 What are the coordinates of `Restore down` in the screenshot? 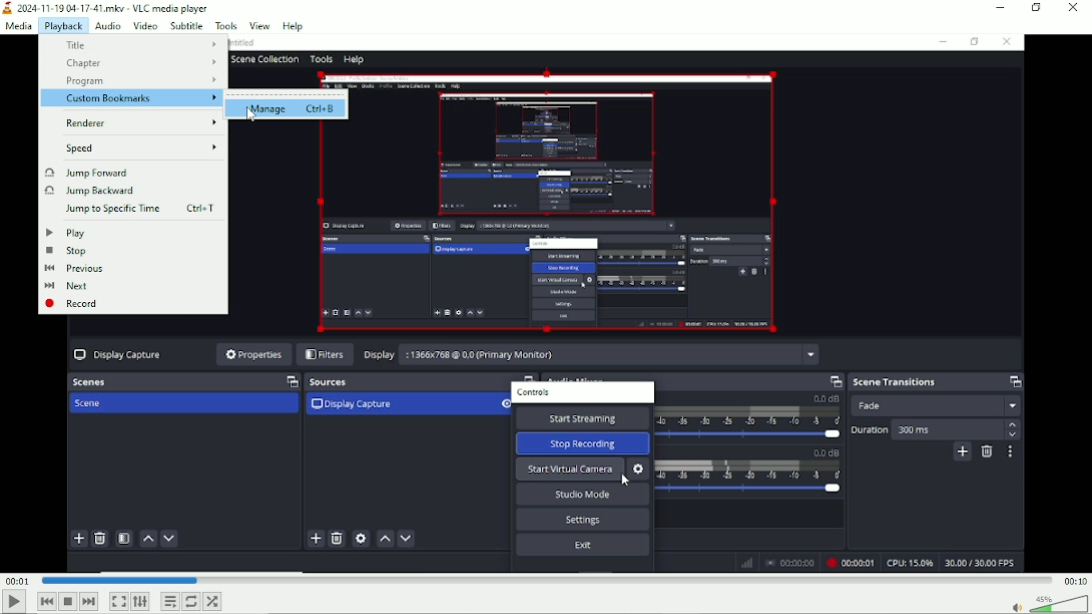 It's located at (1036, 8).